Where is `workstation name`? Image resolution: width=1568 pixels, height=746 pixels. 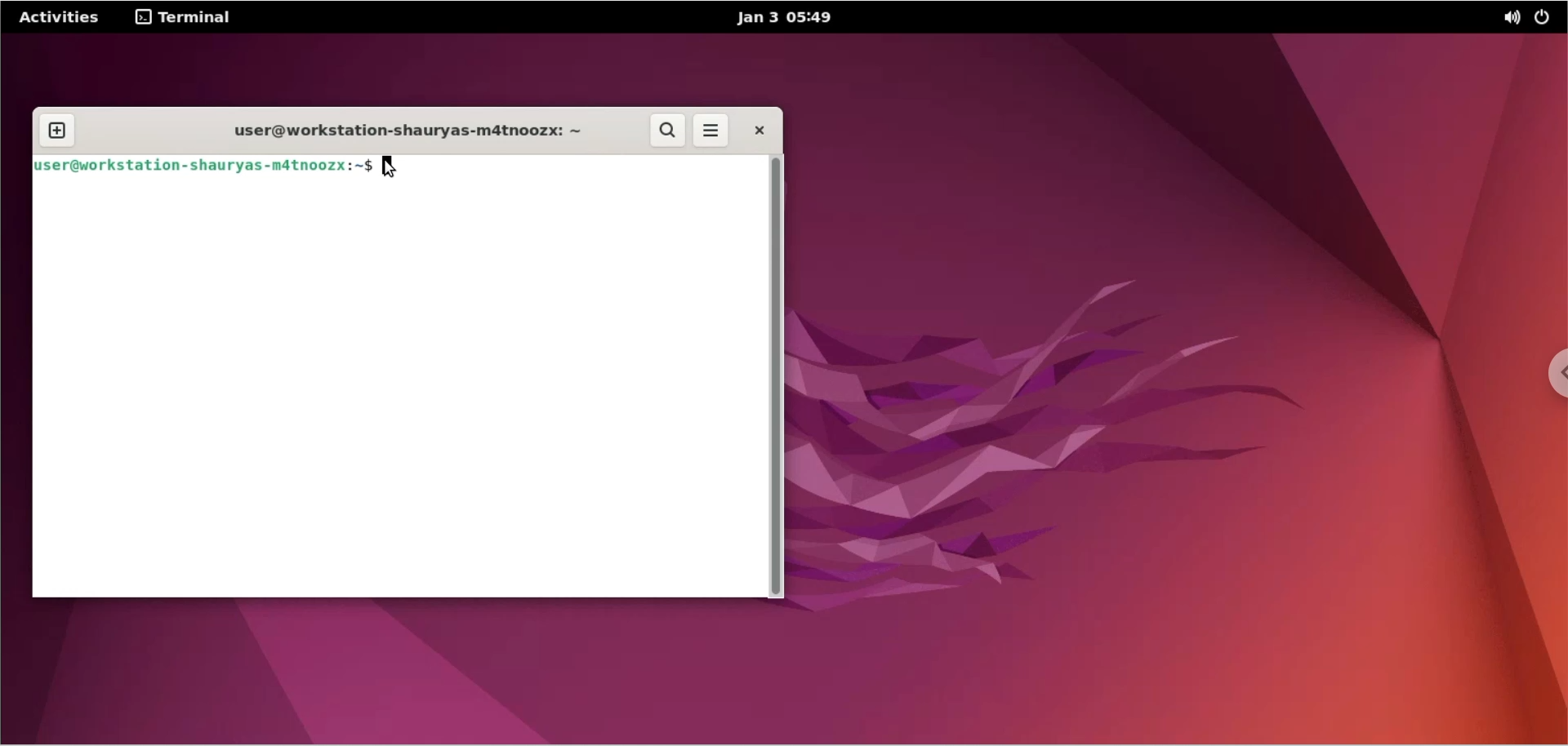
workstation name is located at coordinates (204, 167).